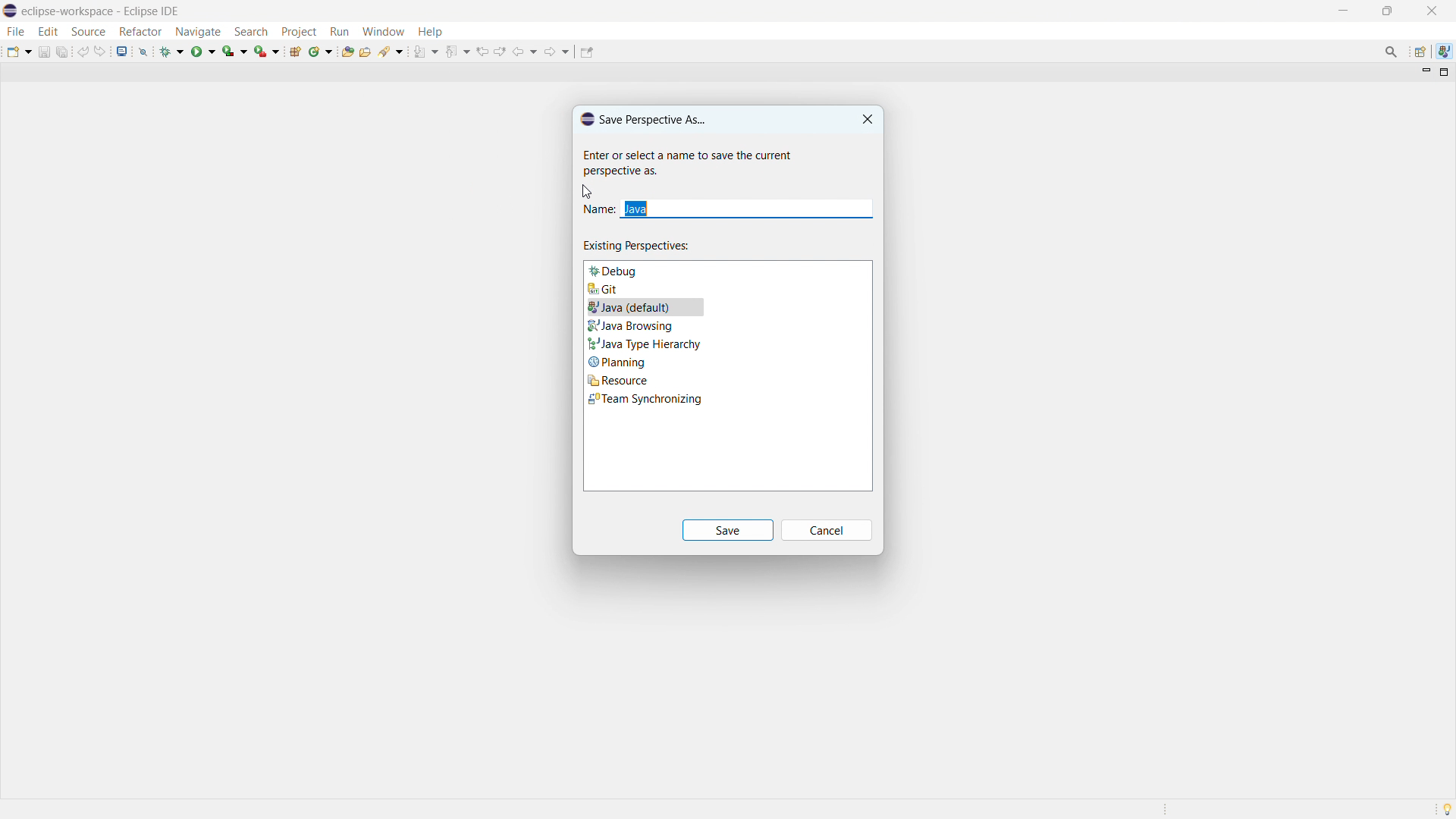 The height and width of the screenshot is (819, 1456). What do you see at coordinates (1424, 73) in the screenshot?
I see `minimize view` at bounding box center [1424, 73].